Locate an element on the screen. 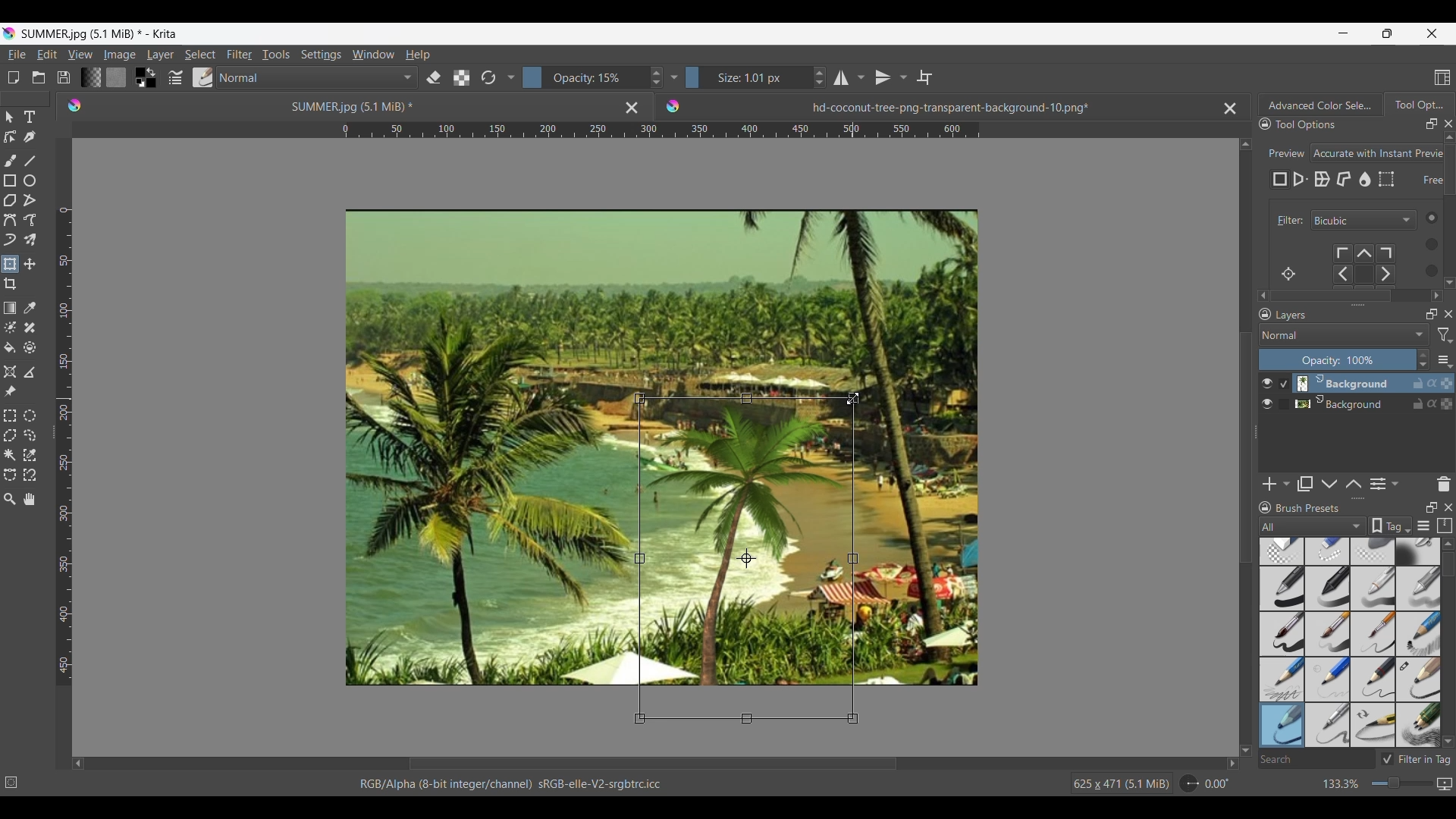  Float layers panel is located at coordinates (1432, 314).